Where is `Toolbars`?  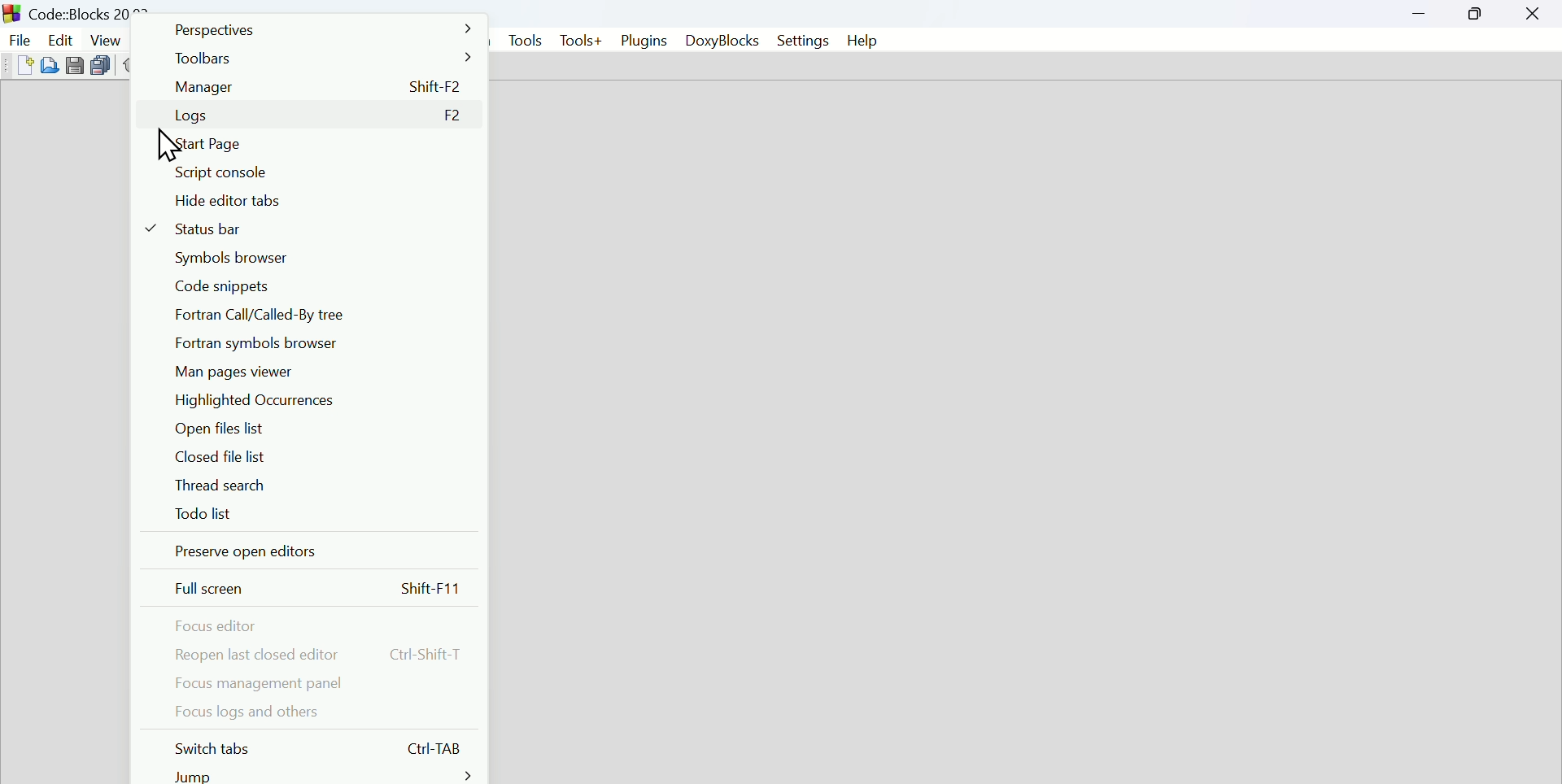 Toolbars is located at coordinates (320, 59).